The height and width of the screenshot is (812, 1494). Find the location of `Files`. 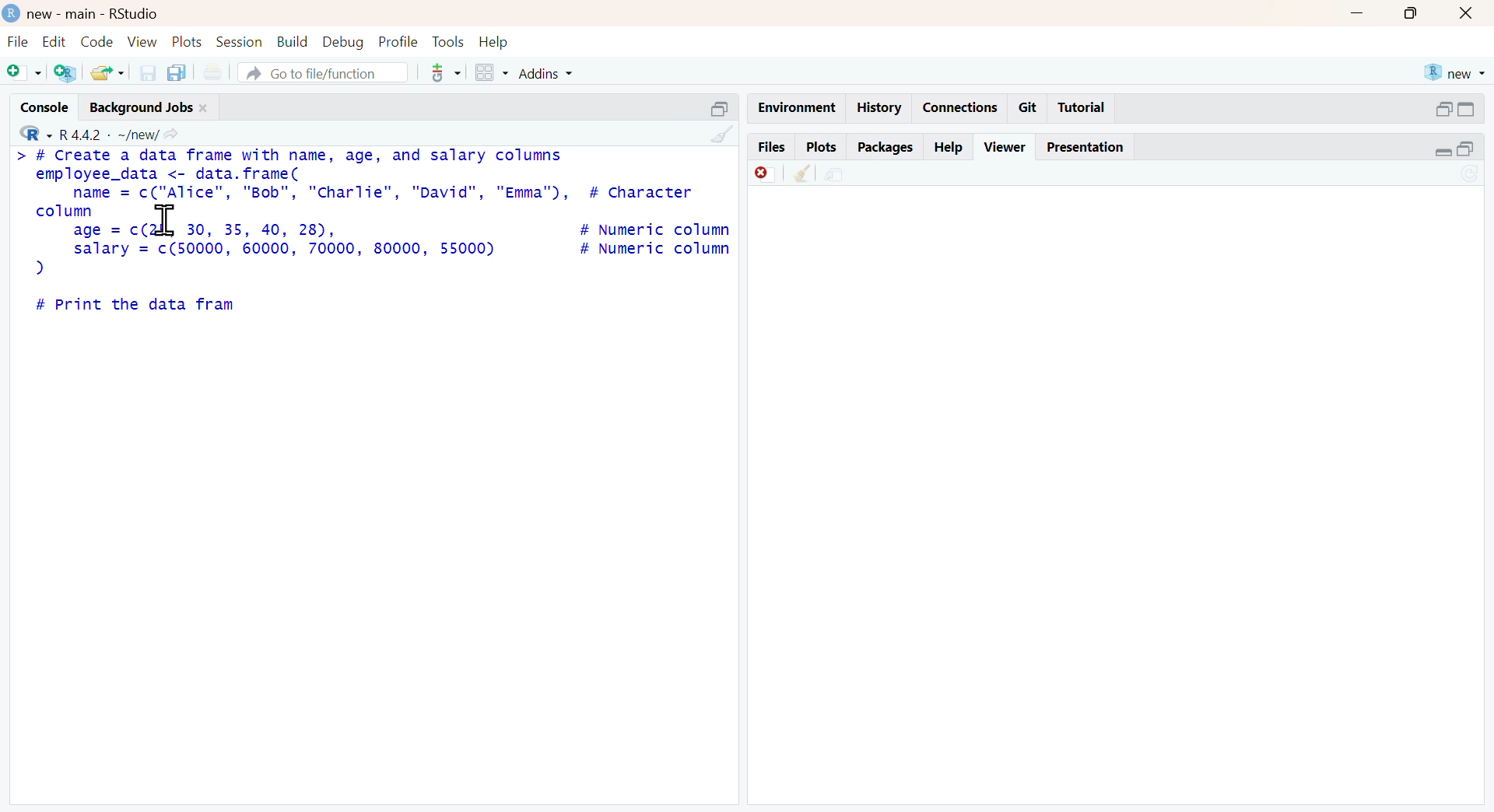

Files is located at coordinates (772, 147).